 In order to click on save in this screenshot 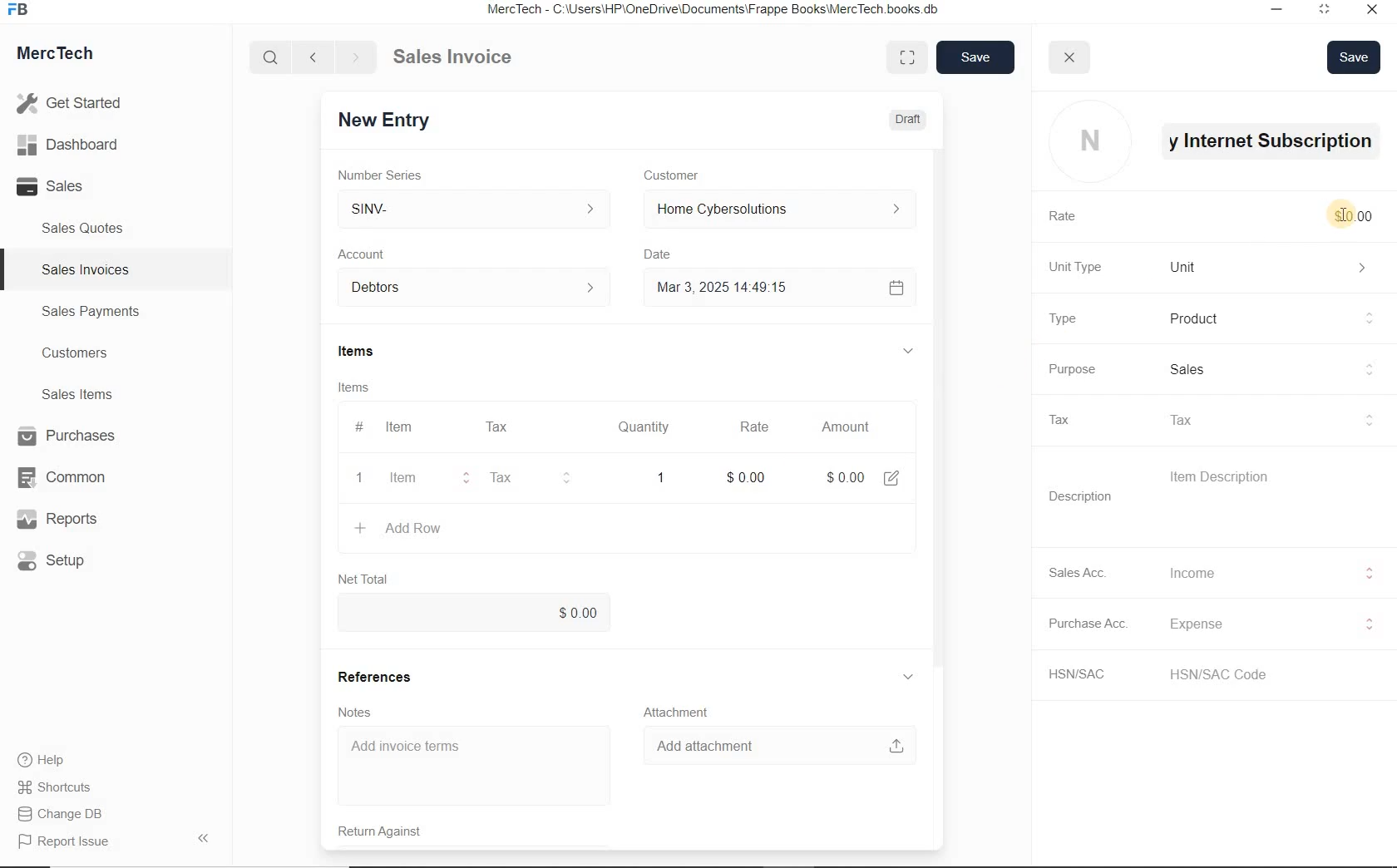, I will do `click(977, 57)`.